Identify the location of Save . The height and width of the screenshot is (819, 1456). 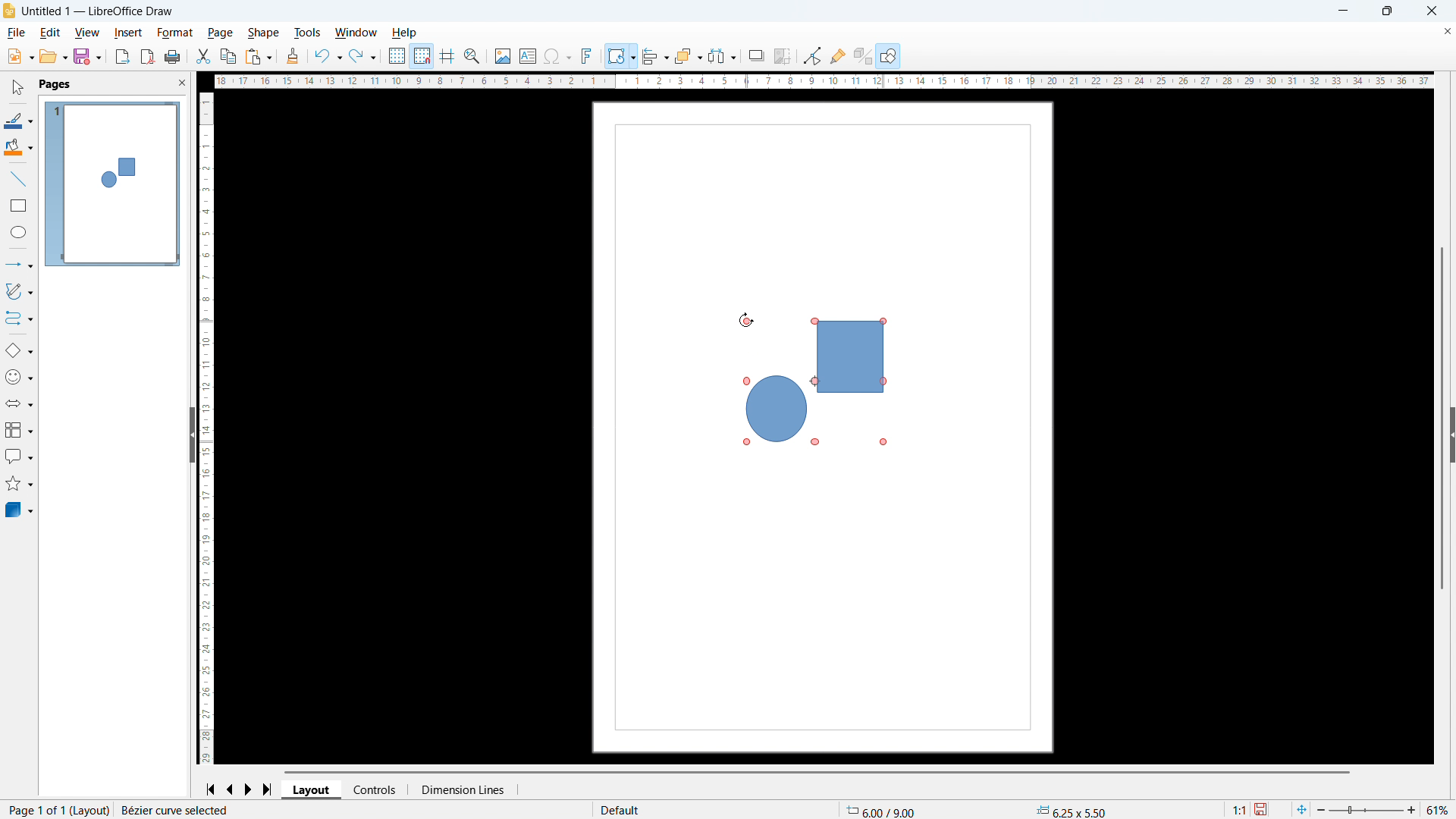
(1262, 810).